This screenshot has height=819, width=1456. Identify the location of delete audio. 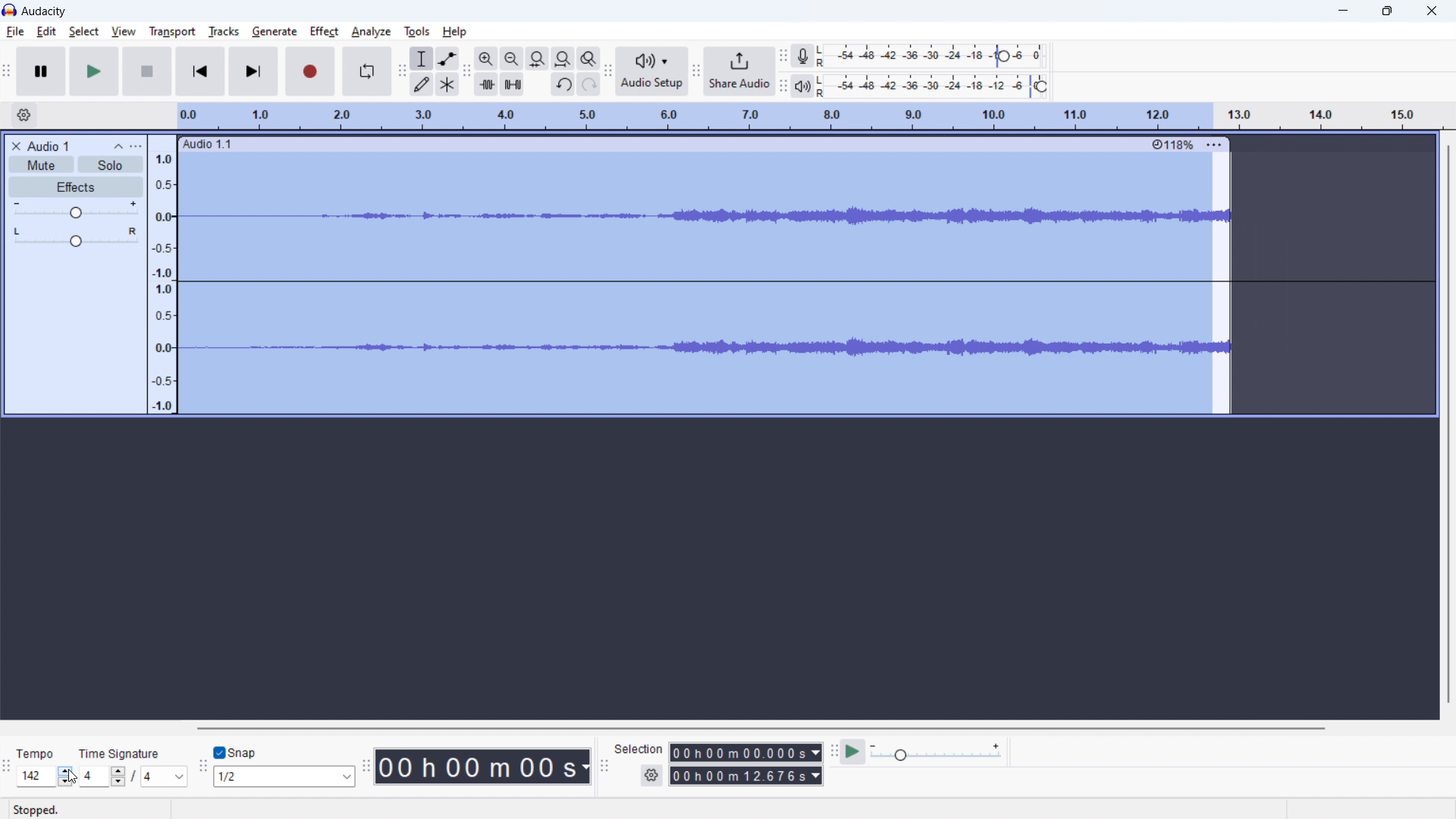
(15, 146).